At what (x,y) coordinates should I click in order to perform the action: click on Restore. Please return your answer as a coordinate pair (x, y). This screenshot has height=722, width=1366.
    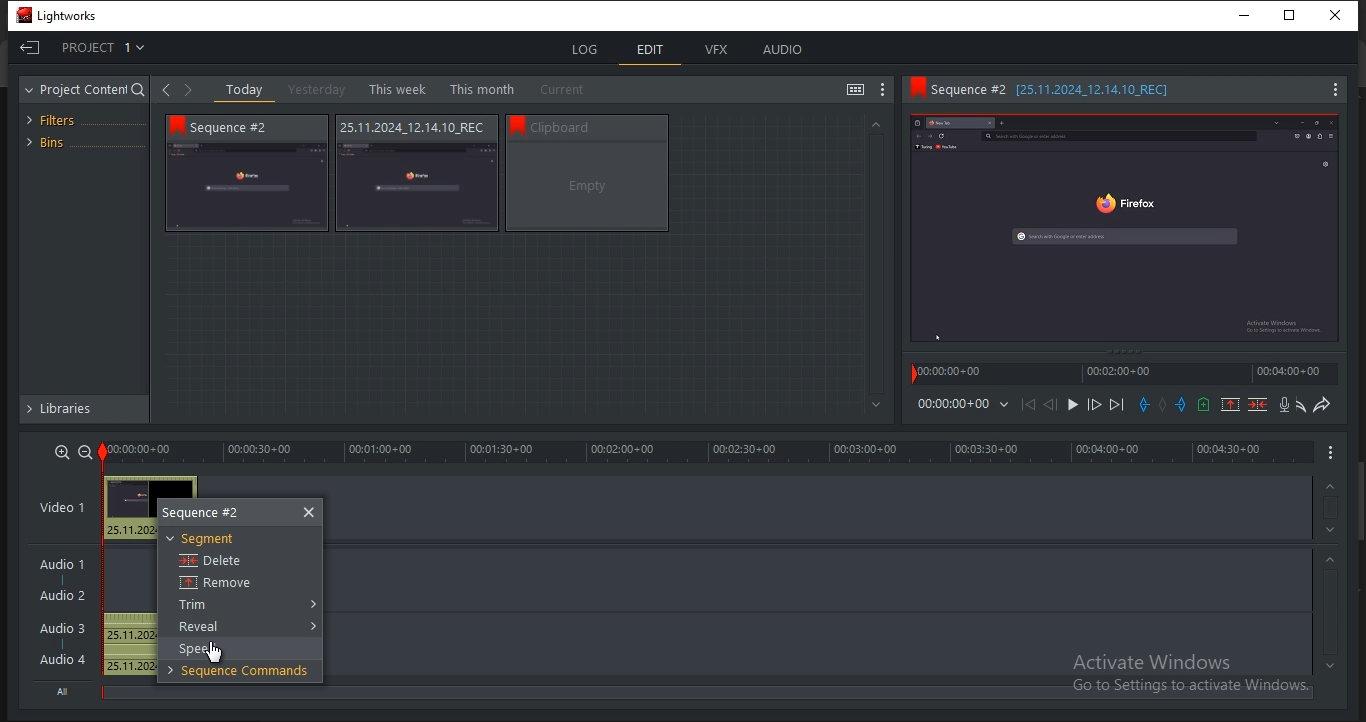
    Looking at the image, I should click on (1295, 13).